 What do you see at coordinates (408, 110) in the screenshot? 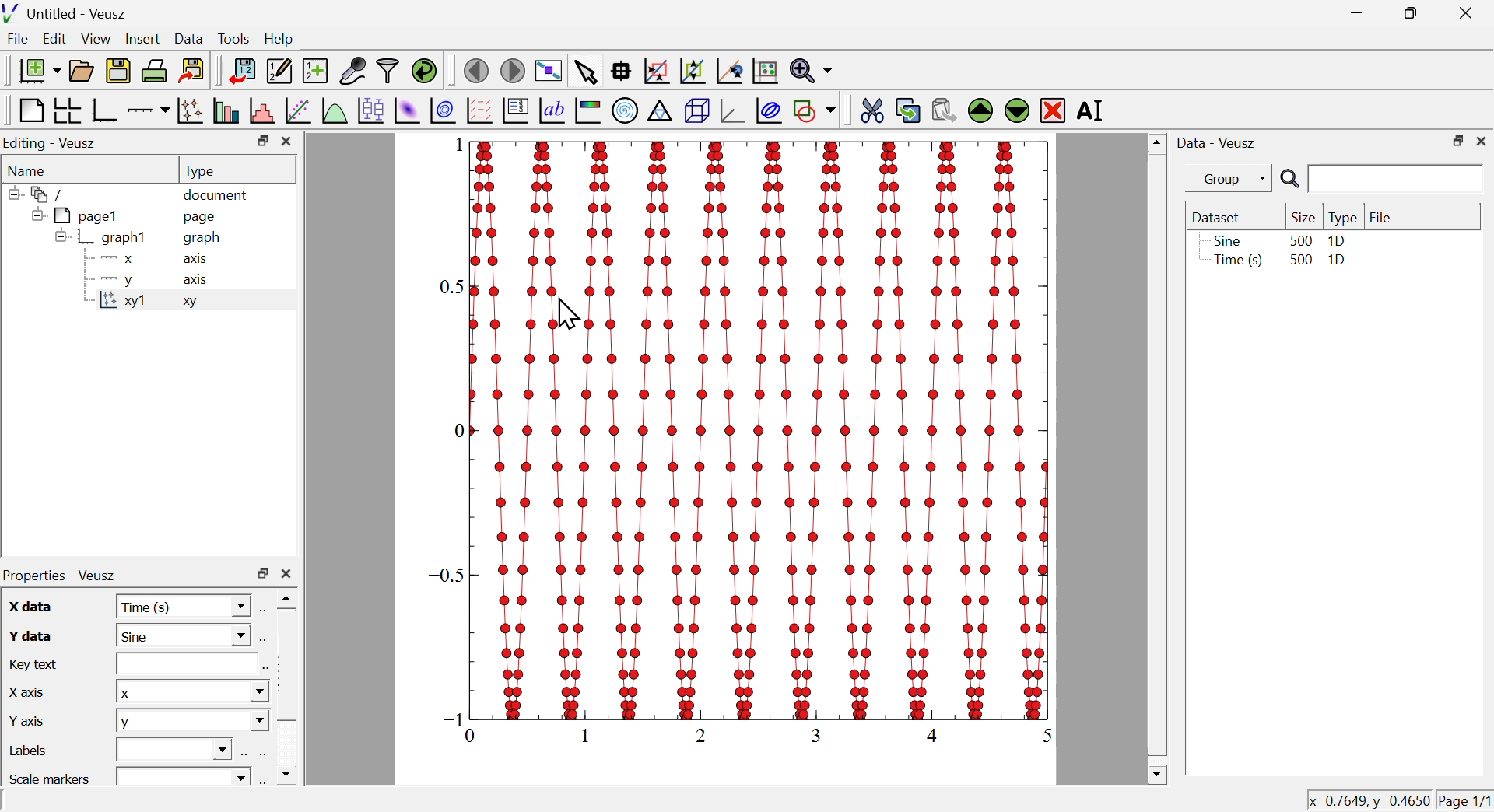
I see `plot a 2d dataset as an image` at bounding box center [408, 110].